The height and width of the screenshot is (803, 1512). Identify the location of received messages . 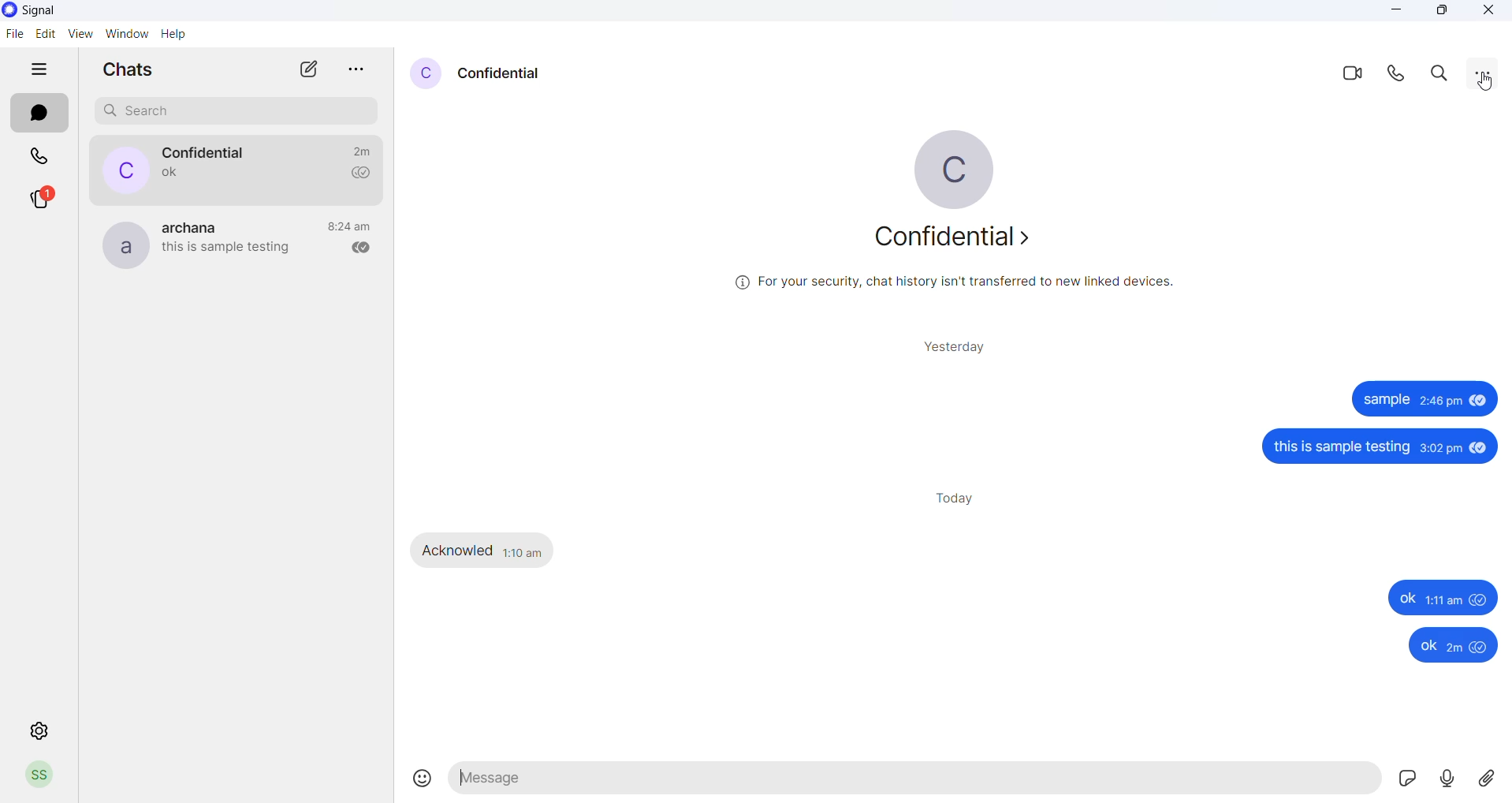
(487, 551).